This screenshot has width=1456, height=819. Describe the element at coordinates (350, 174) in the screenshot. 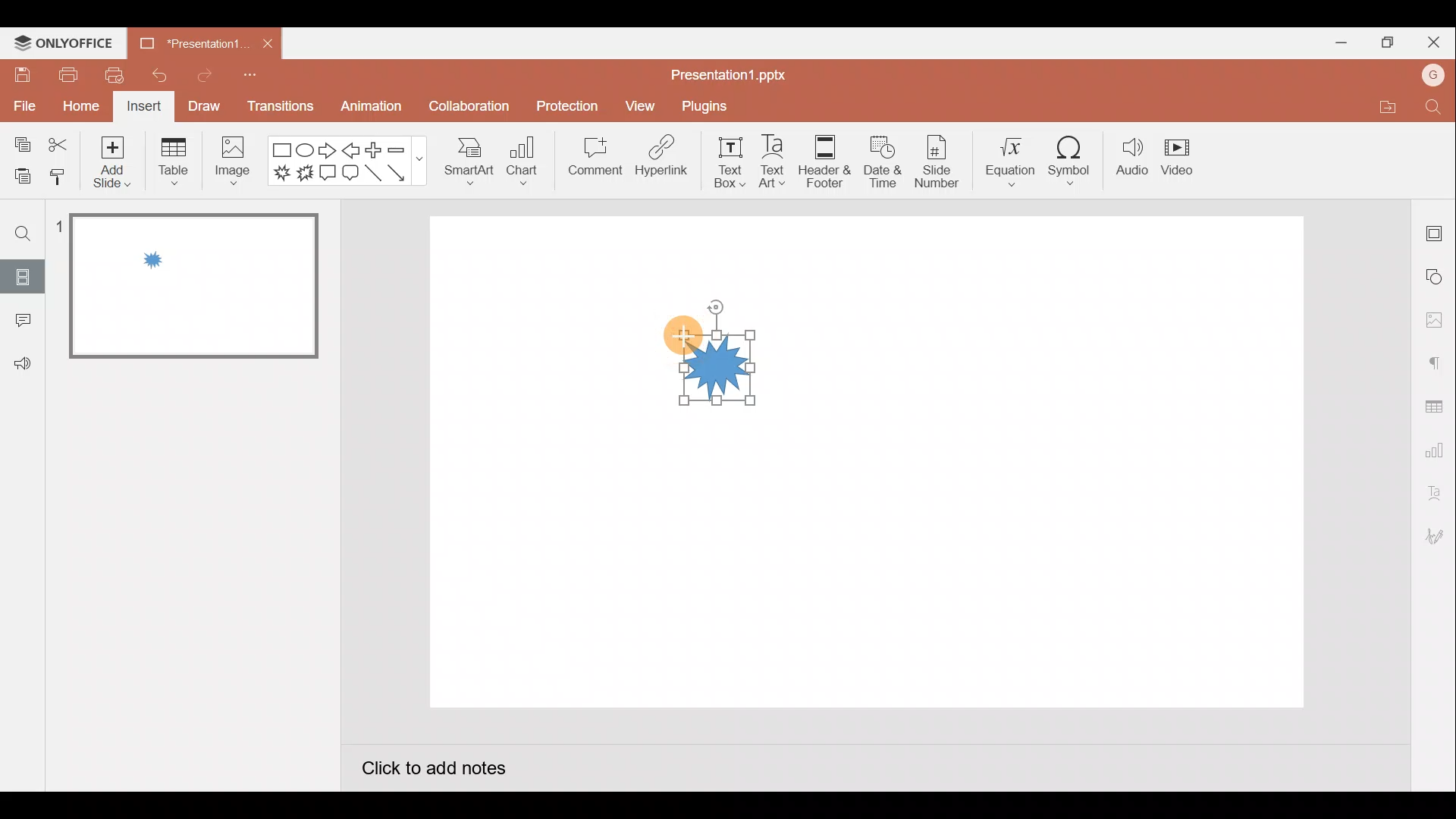

I see `Rounded rectangular callout` at that location.